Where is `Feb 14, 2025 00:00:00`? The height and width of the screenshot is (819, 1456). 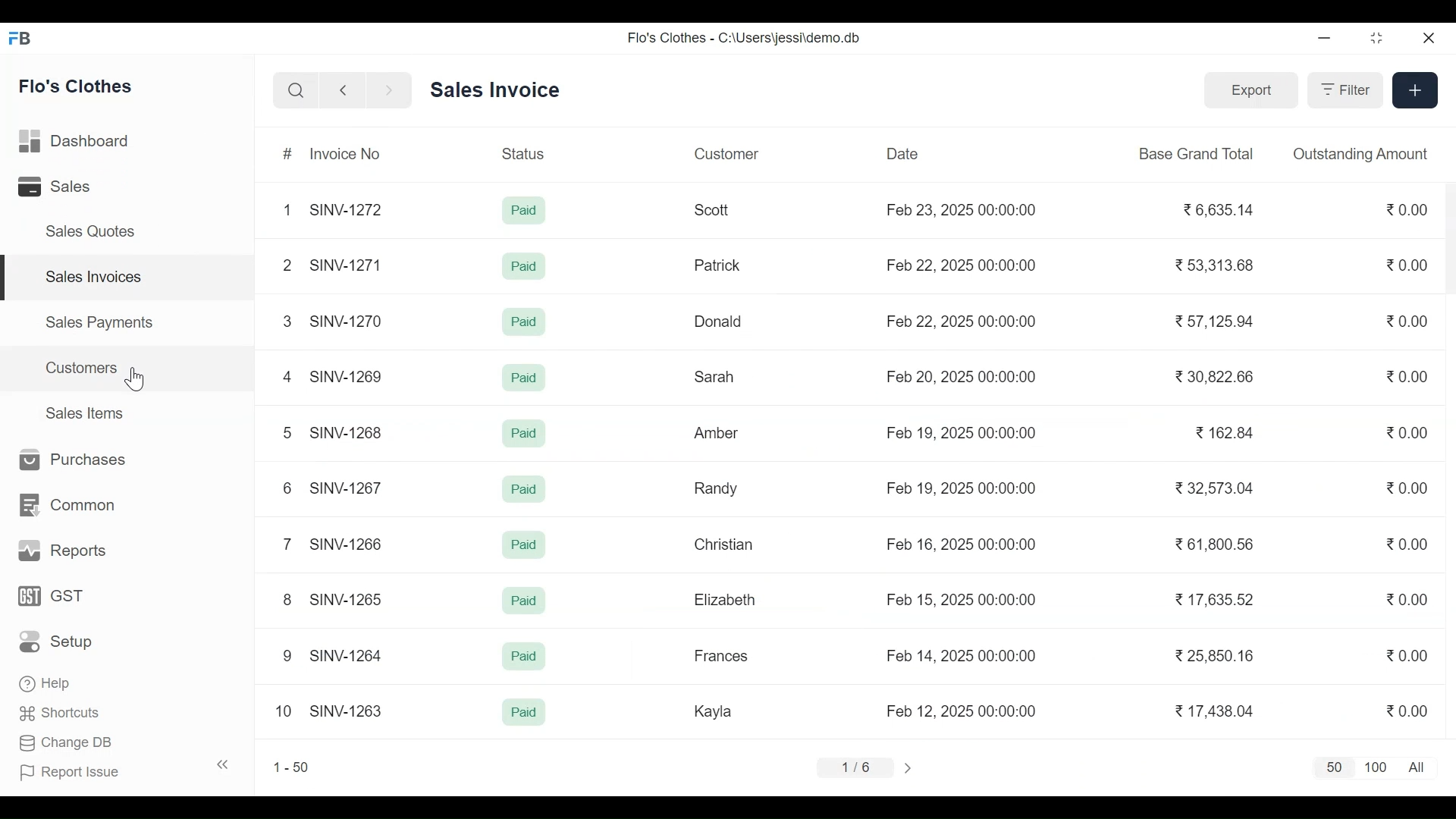 Feb 14, 2025 00:00:00 is located at coordinates (960, 655).